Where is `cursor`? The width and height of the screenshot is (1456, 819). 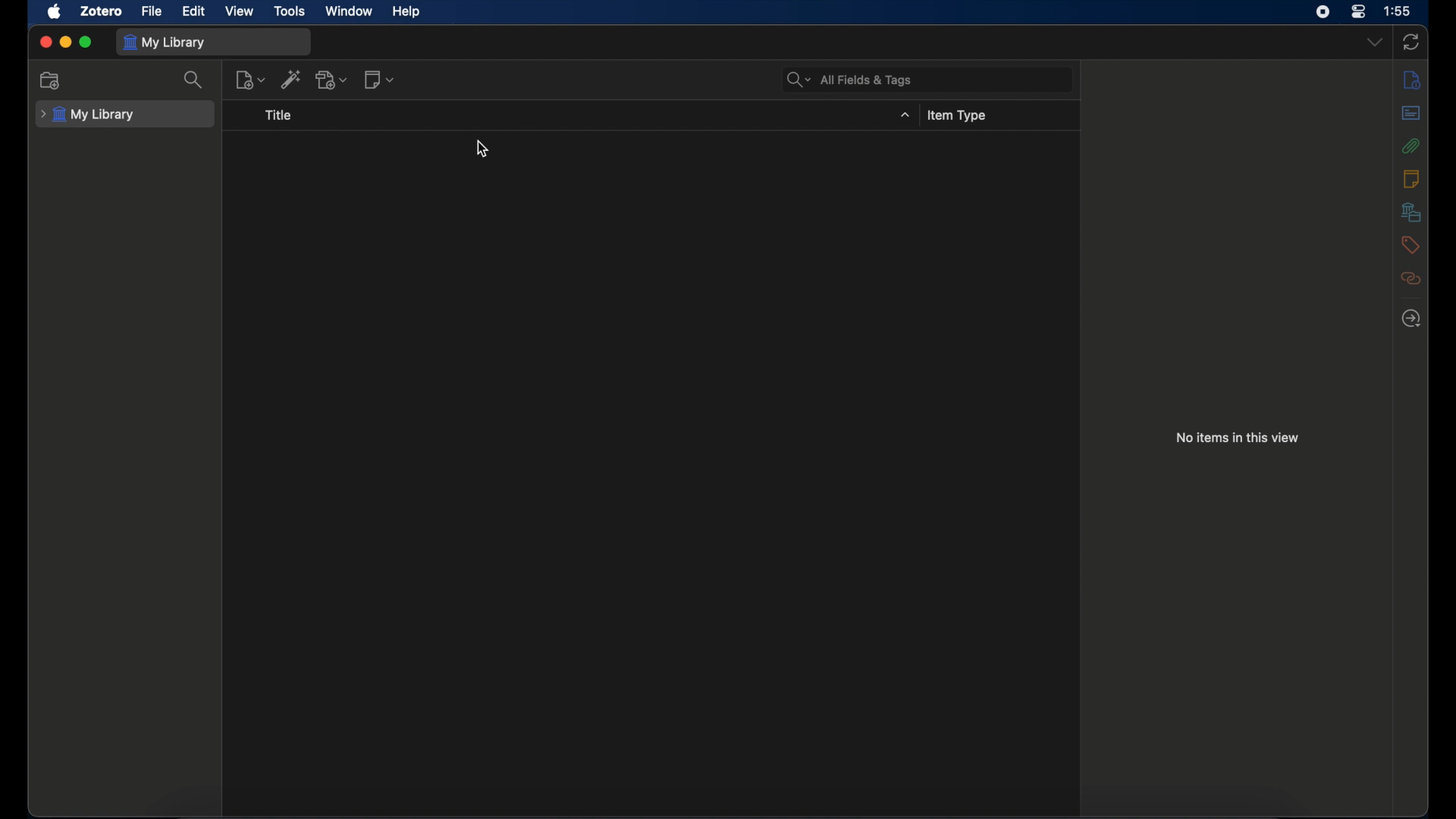
cursor is located at coordinates (484, 149).